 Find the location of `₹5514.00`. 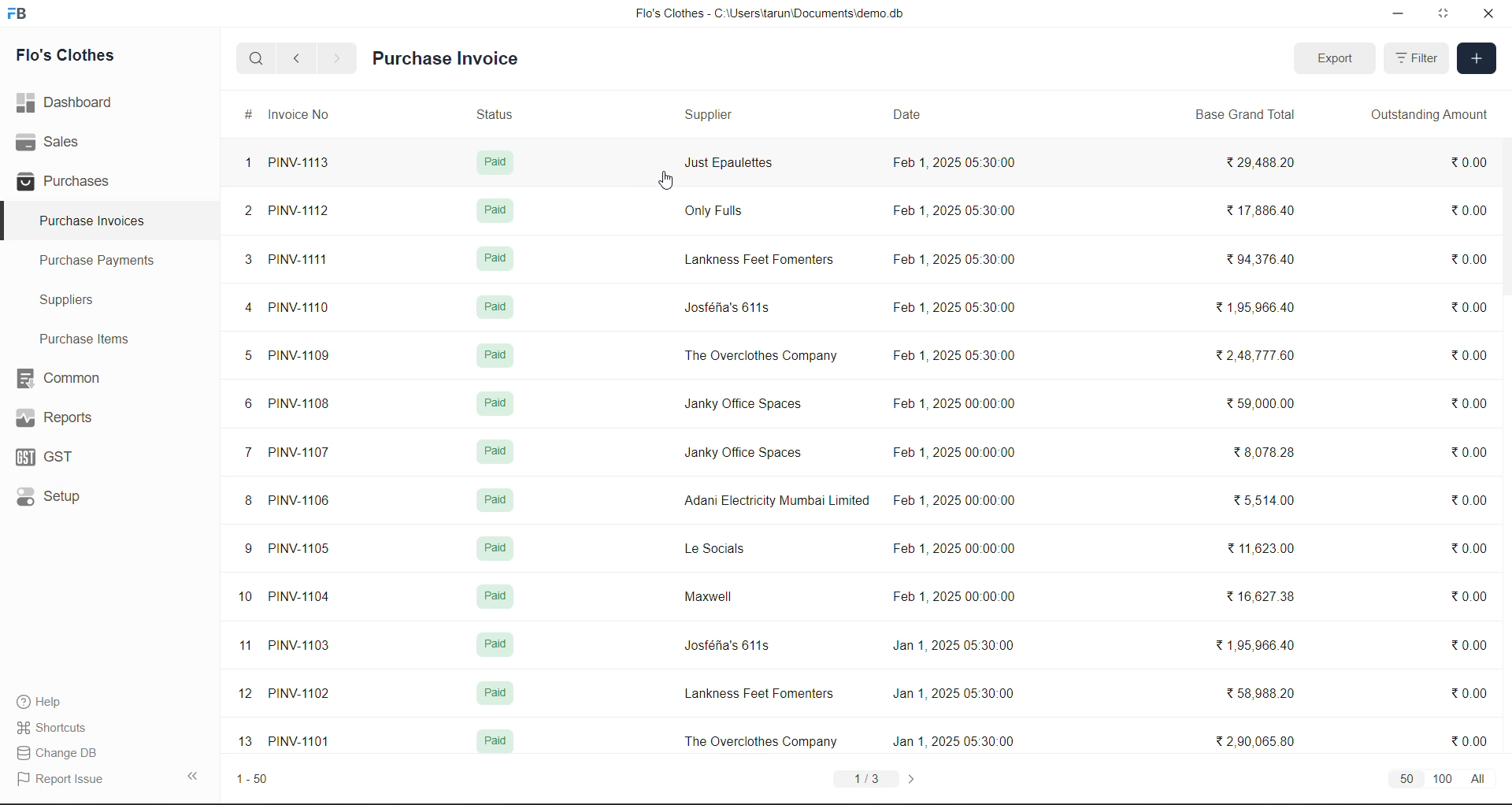

₹5514.00 is located at coordinates (1264, 503).